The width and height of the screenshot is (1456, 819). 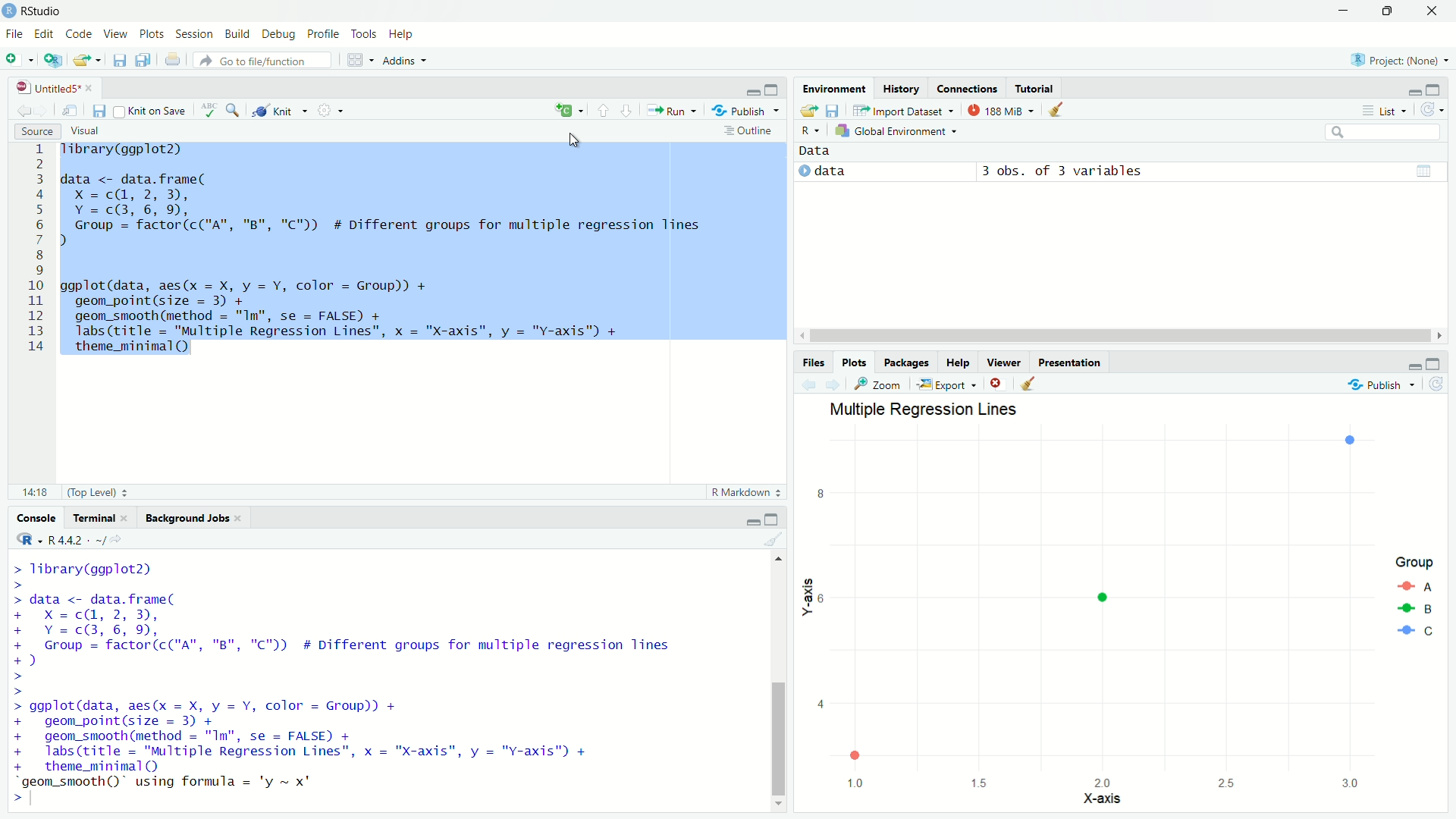 I want to click on Publish, so click(x=1382, y=385).